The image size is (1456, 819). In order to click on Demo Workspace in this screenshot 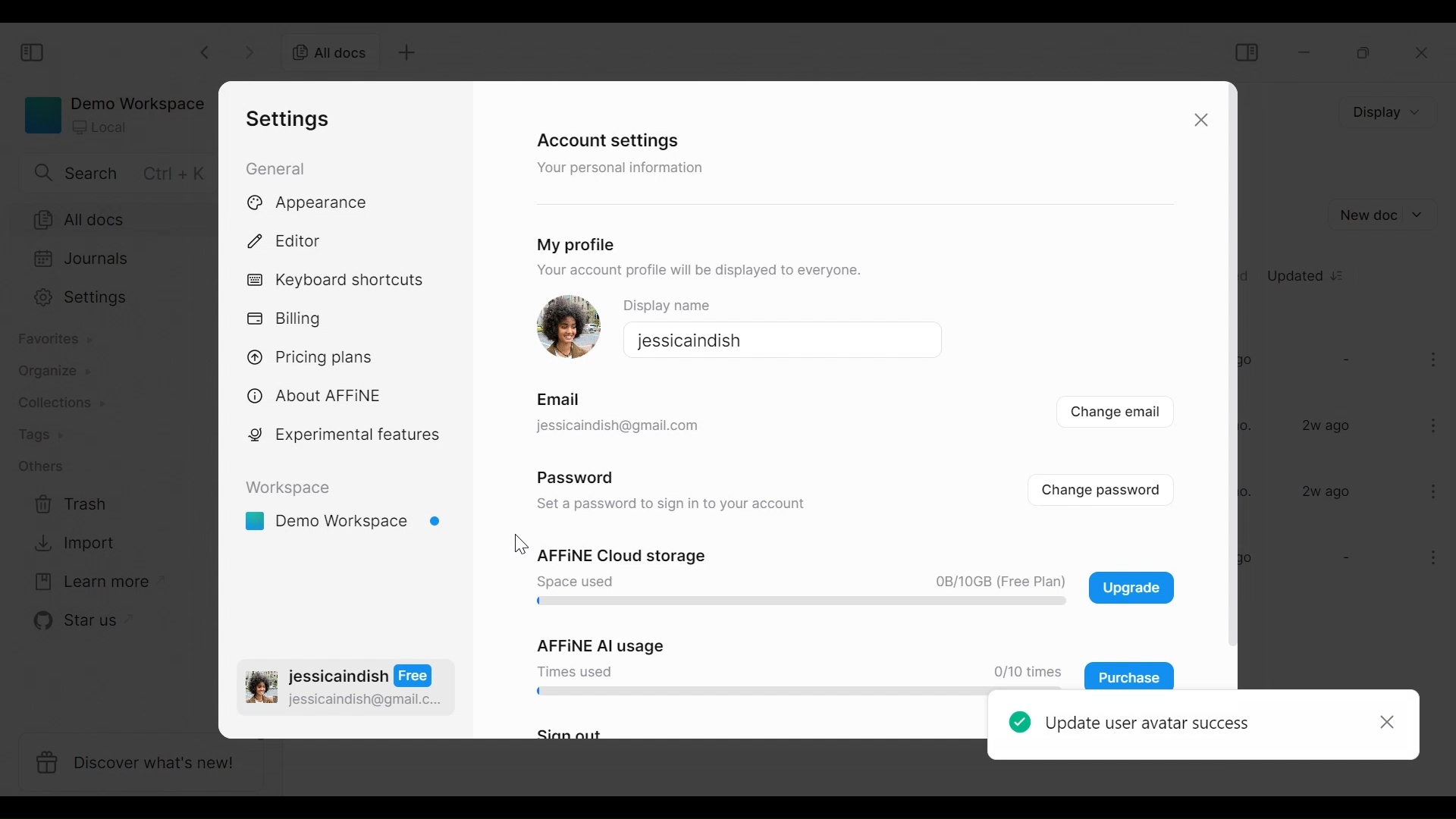, I will do `click(345, 523)`.